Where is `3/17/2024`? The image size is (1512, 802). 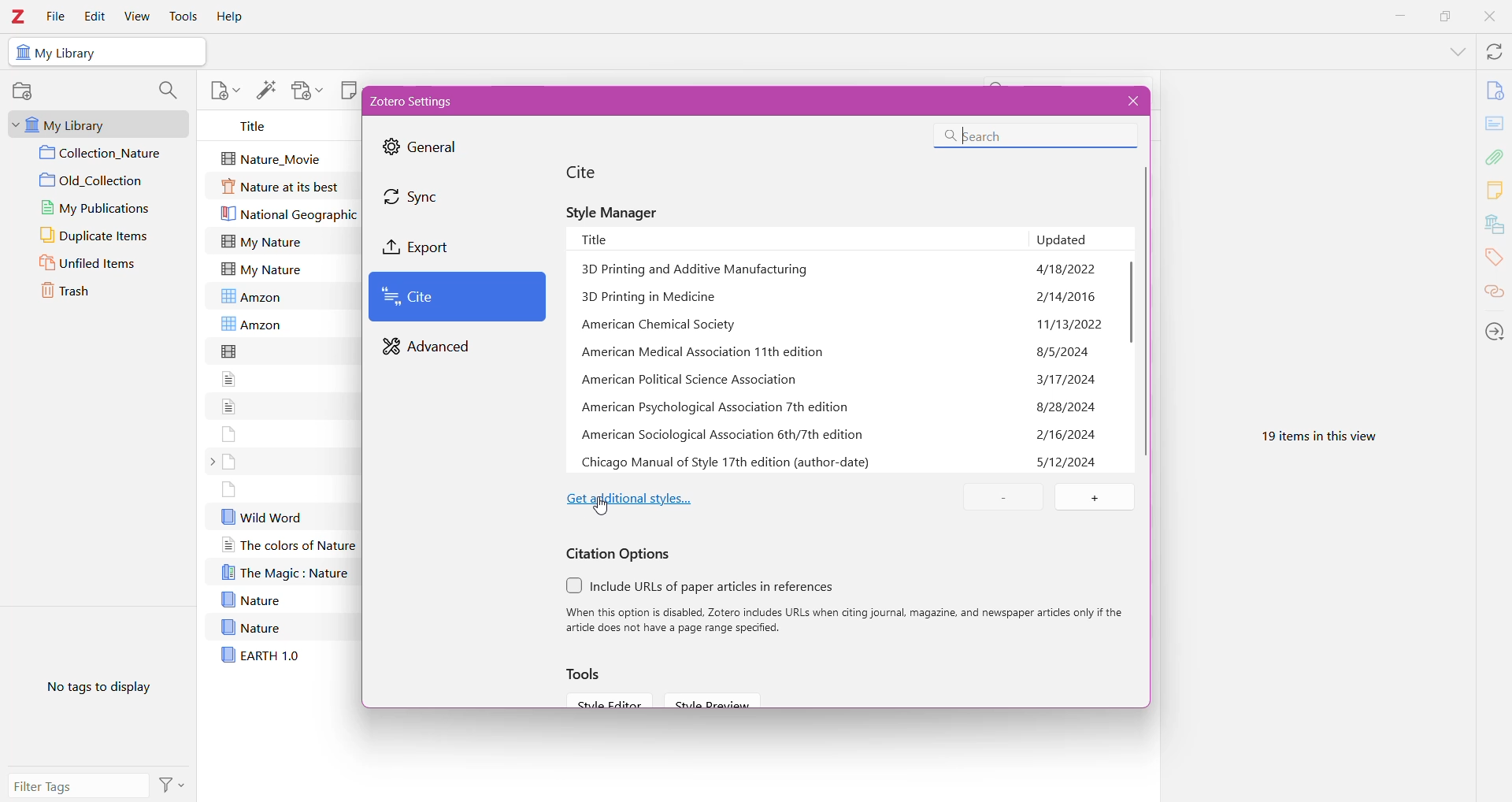 3/17/2024 is located at coordinates (1067, 380).